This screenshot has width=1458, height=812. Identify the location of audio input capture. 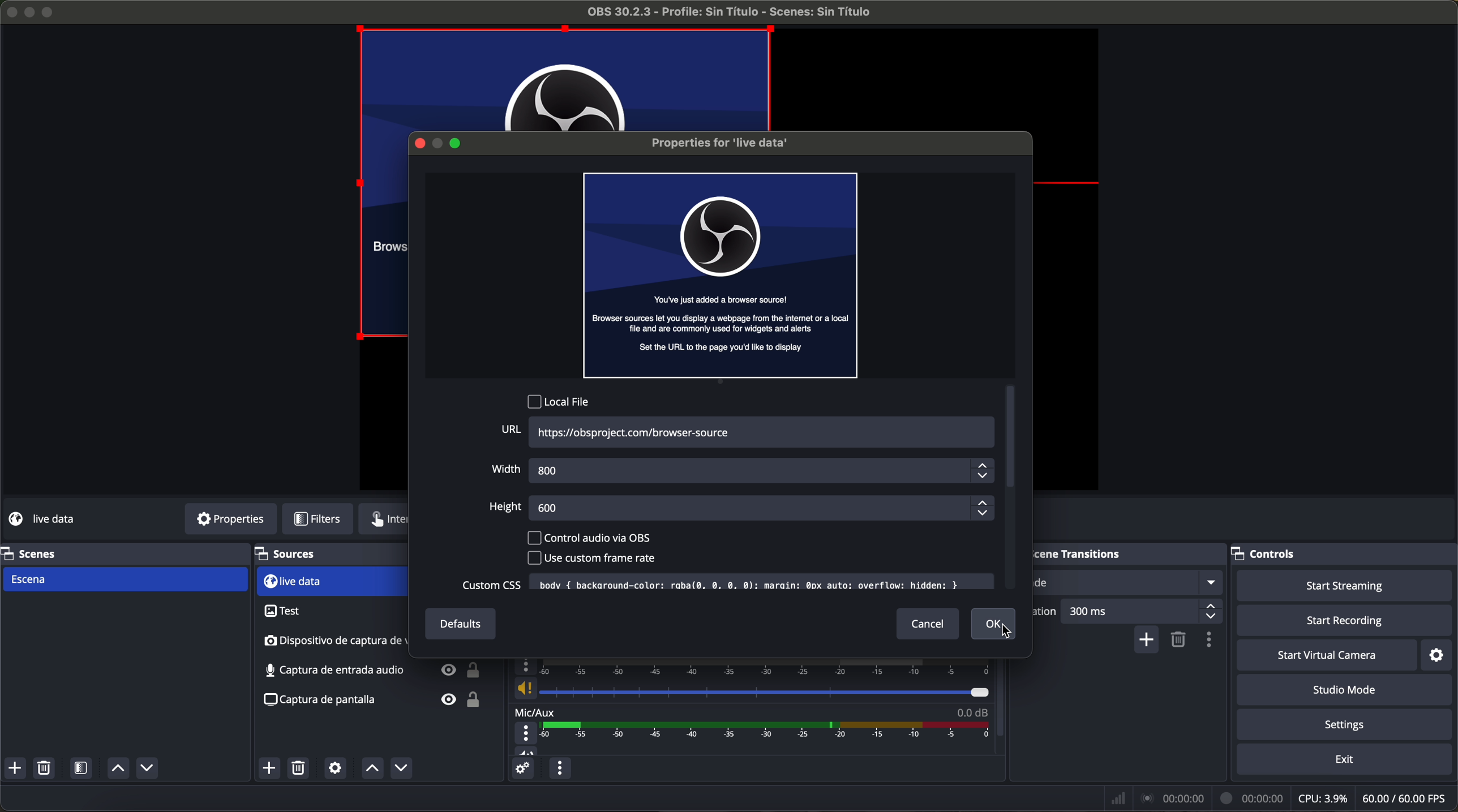
(332, 642).